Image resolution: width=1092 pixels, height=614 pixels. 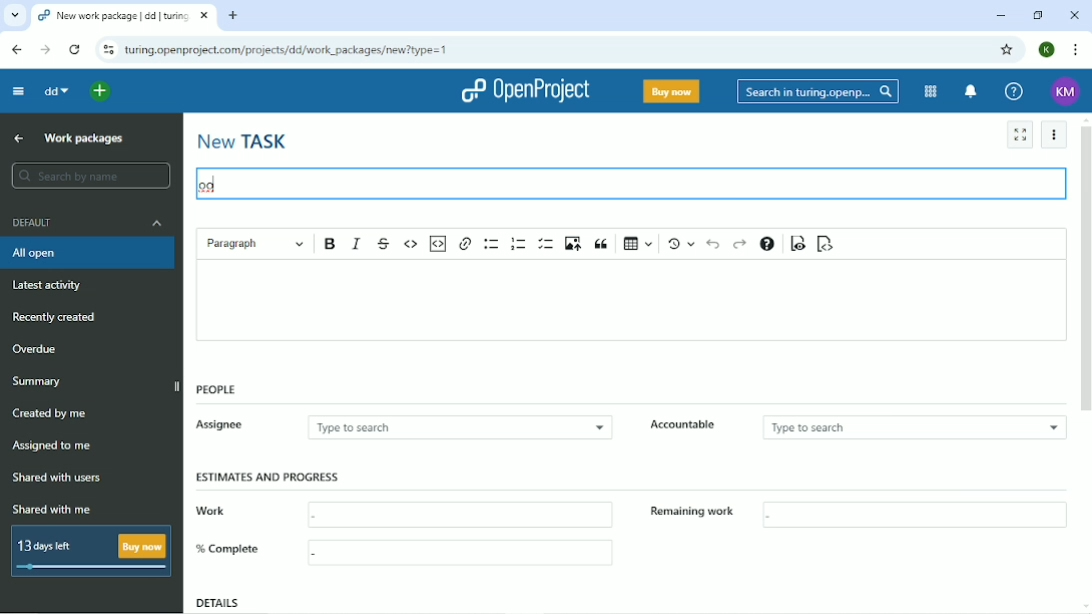 What do you see at coordinates (825, 244) in the screenshot?
I see `Switch to markdown source` at bounding box center [825, 244].